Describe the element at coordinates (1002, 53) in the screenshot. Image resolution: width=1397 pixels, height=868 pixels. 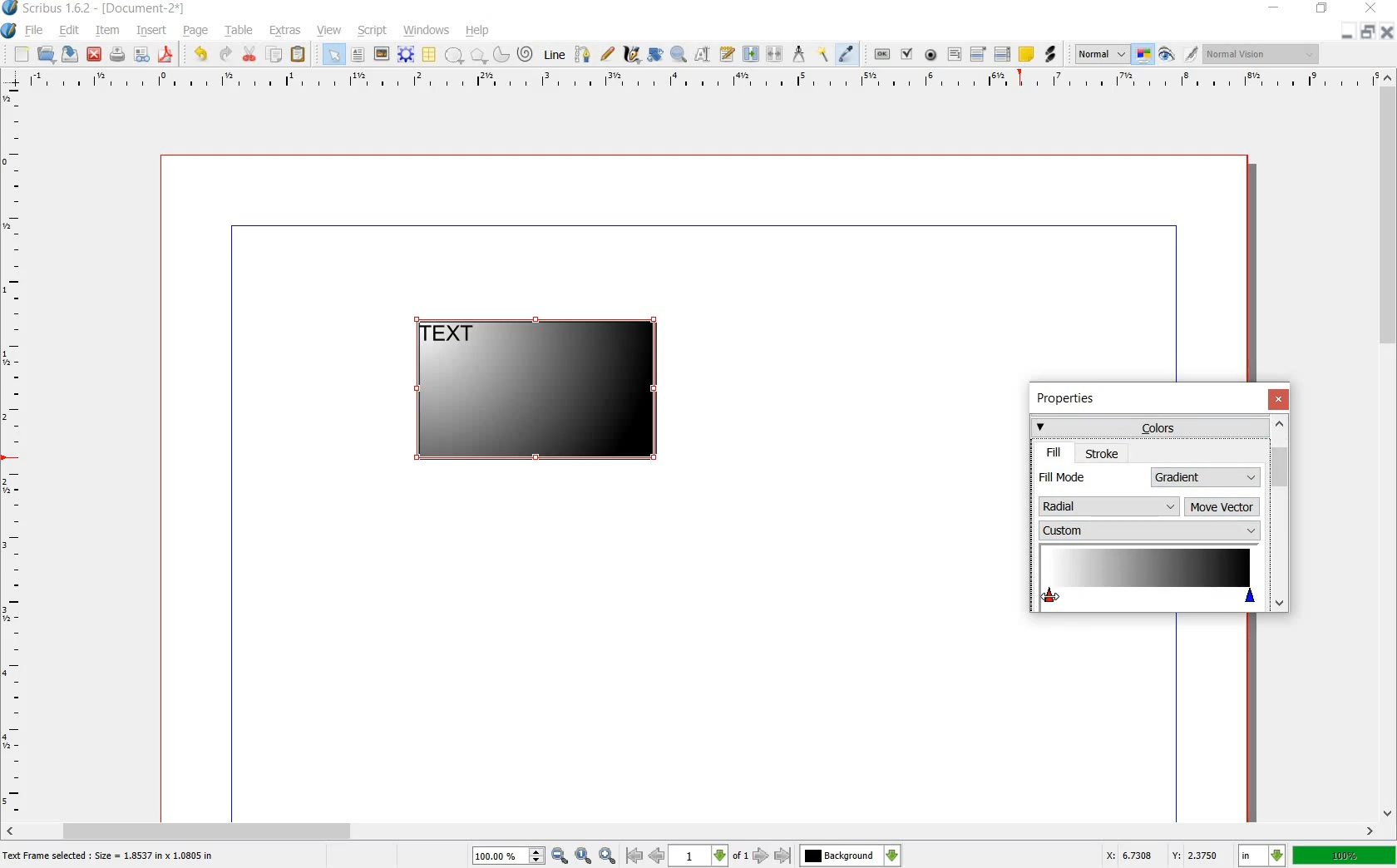
I see `pdf list box` at that location.